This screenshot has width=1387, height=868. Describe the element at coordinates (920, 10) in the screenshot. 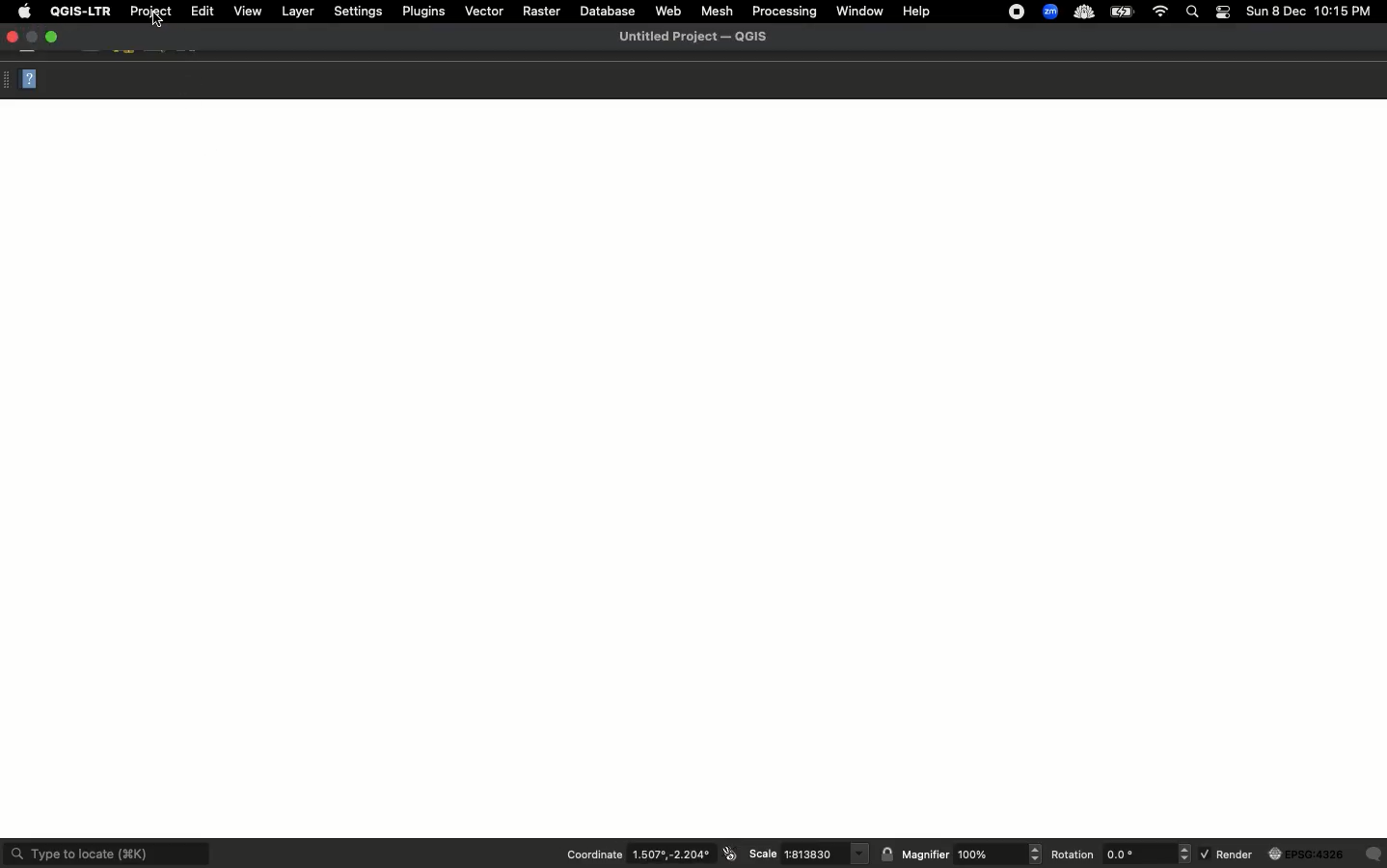

I see `Help` at that location.